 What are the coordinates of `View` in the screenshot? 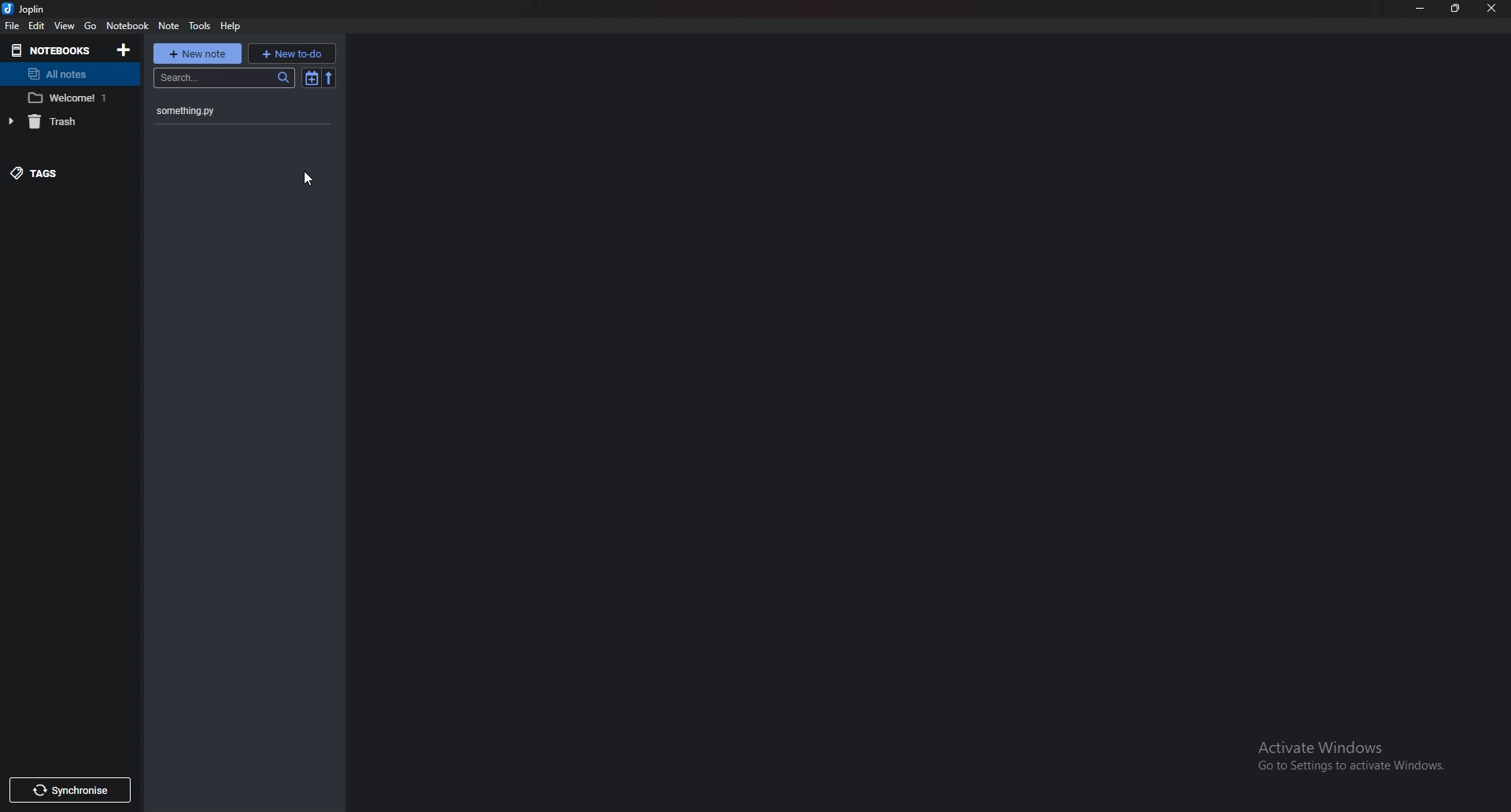 It's located at (65, 26).